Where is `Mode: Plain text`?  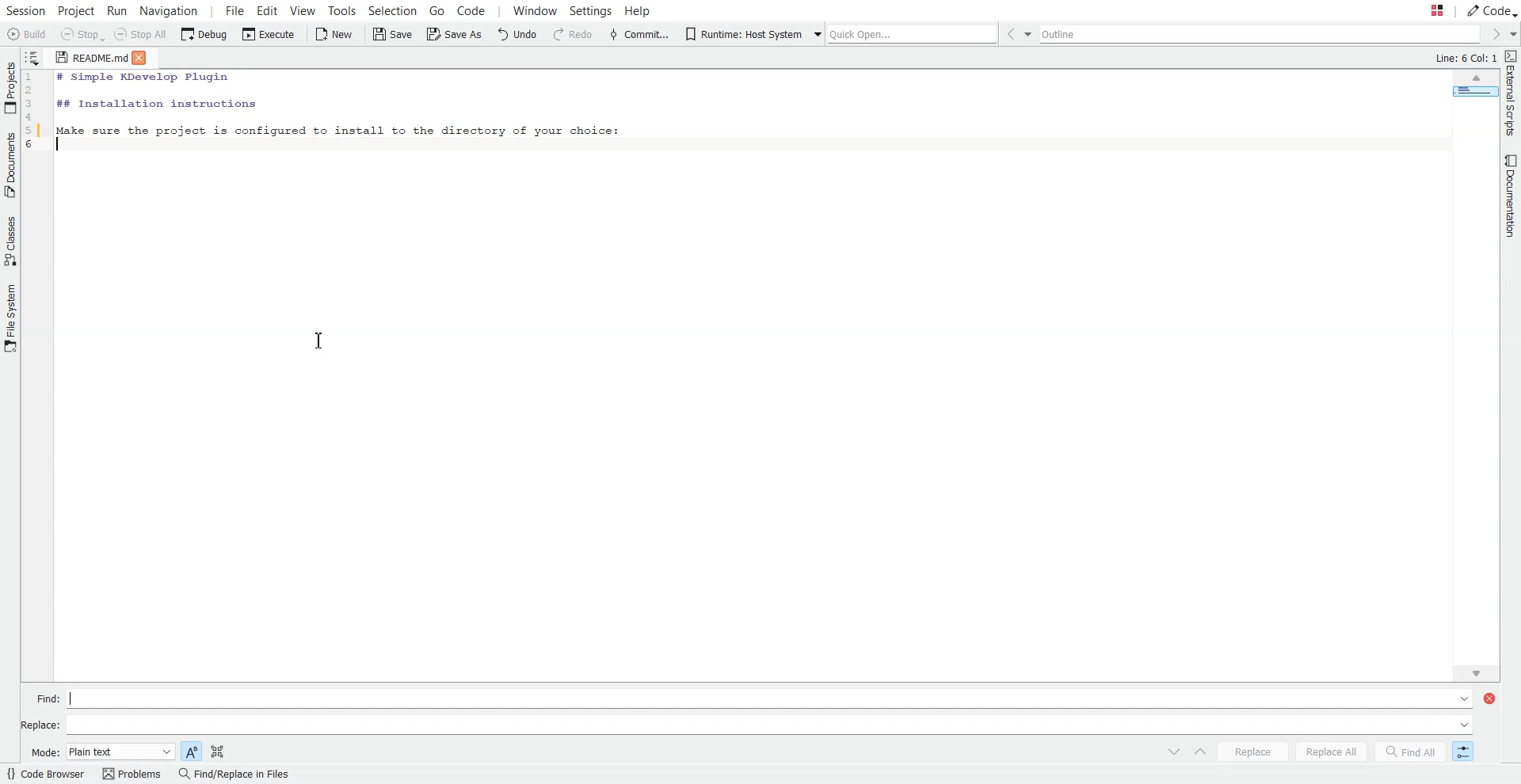 Mode: Plain text is located at coordinates (101, 752).